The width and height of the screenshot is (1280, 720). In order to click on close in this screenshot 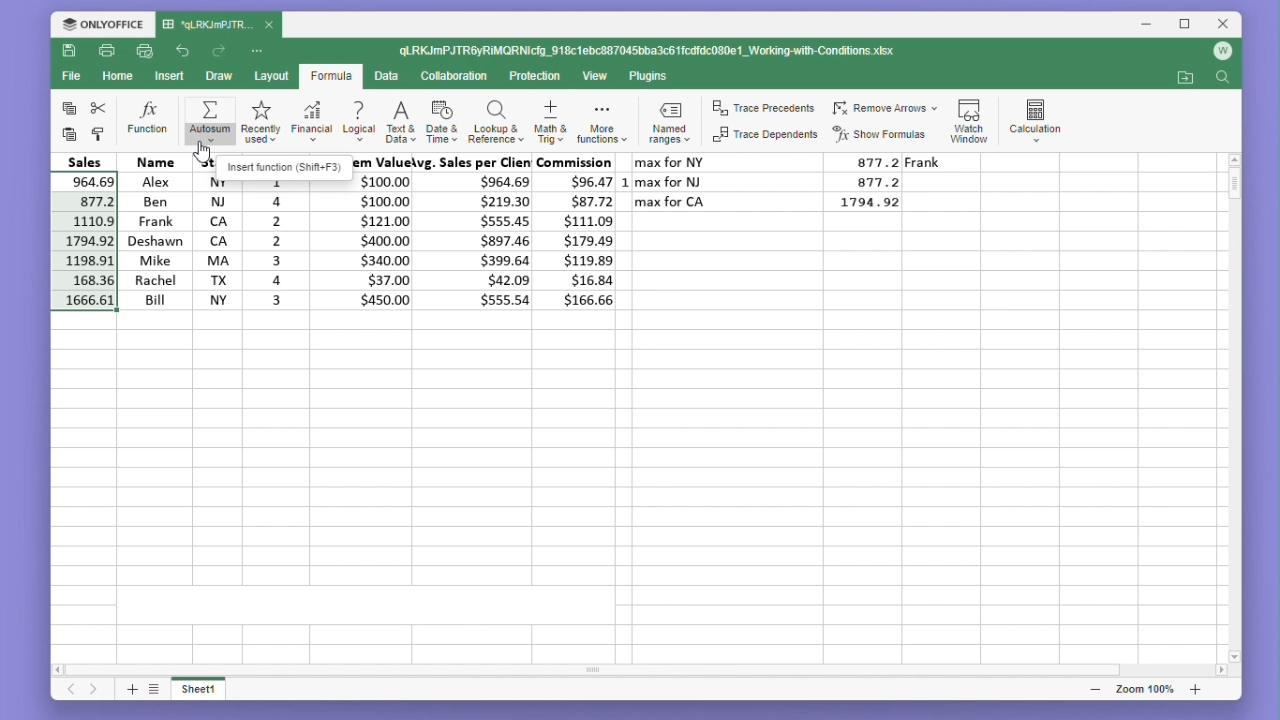, I will do `click(270, 24)`.